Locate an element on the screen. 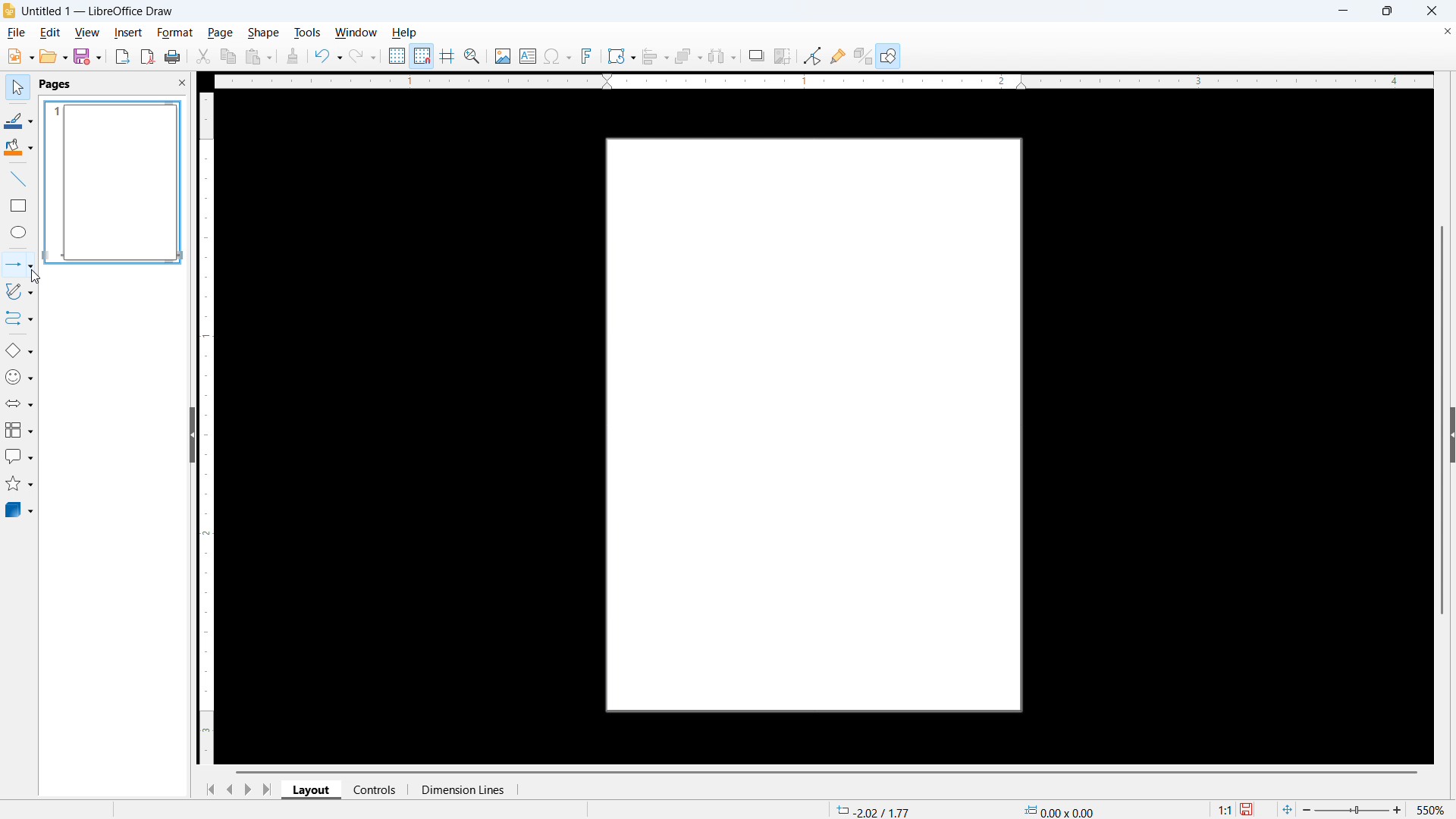  1:1 is located at coordinates (1224, 810).